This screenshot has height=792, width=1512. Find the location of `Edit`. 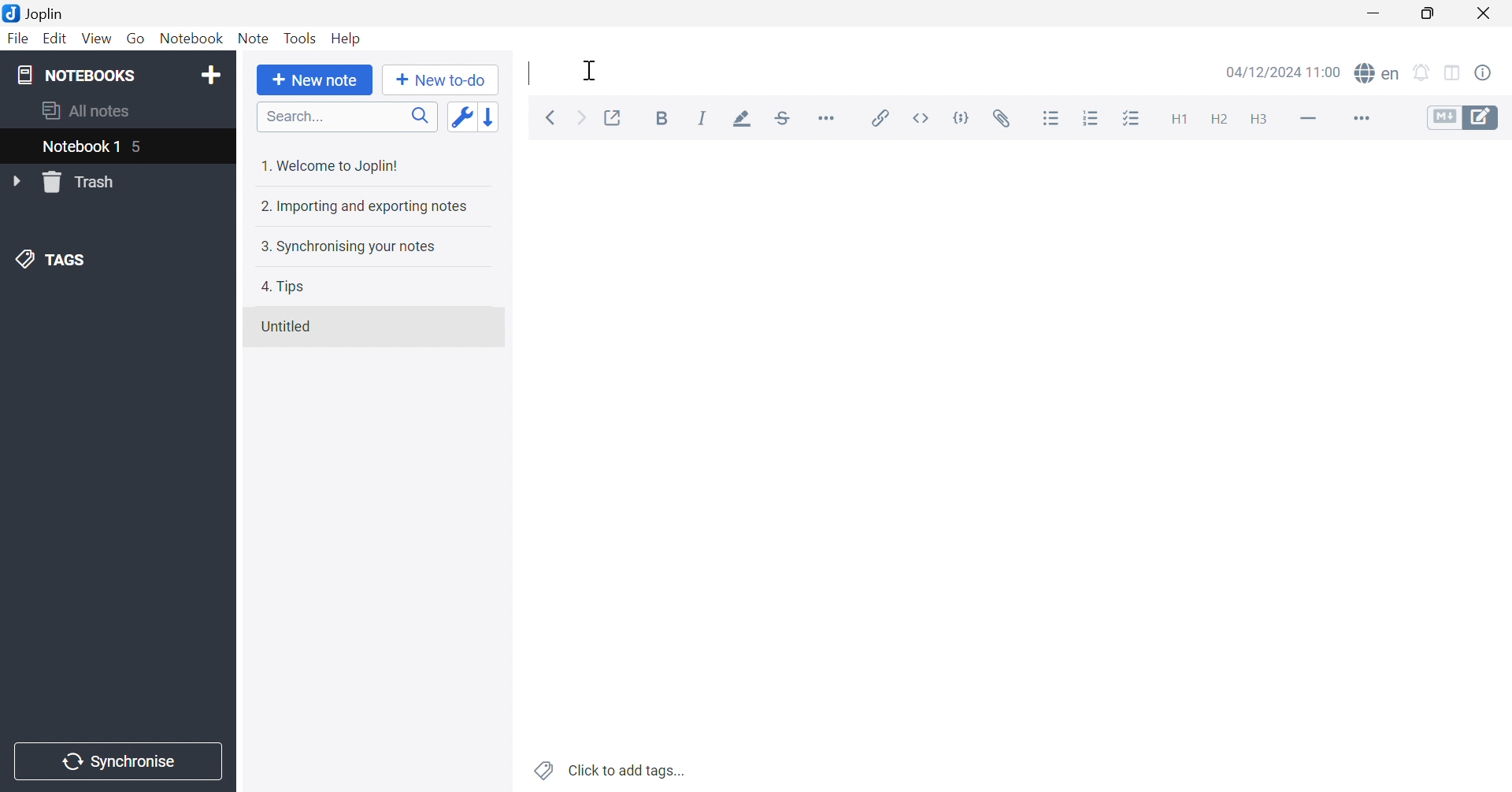

Edit is located at coordinates (56, 41).